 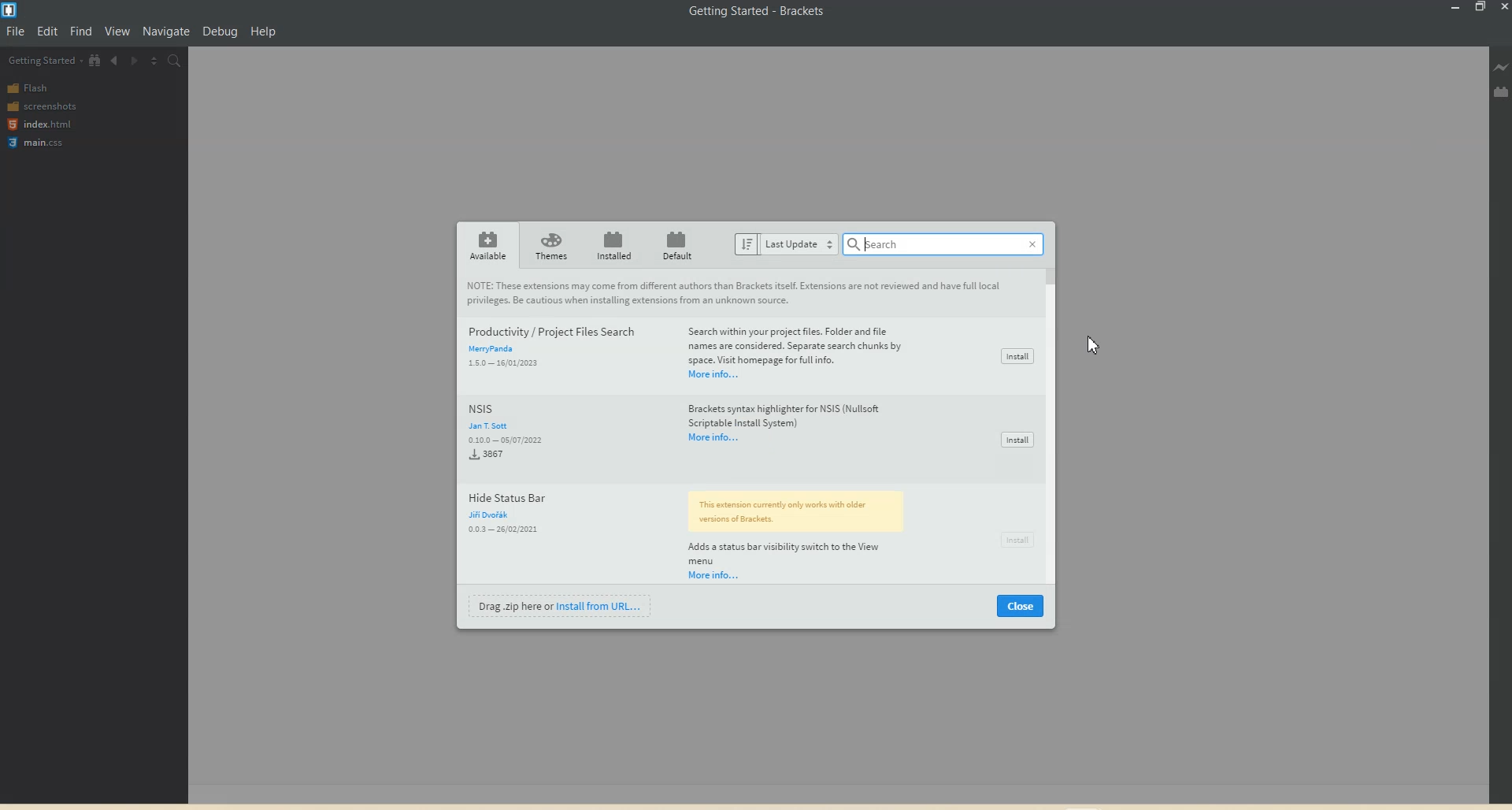 What do you see at coordinates (82, 31) in the screenshot?
I see `Find` at bounding box center [82, 31].